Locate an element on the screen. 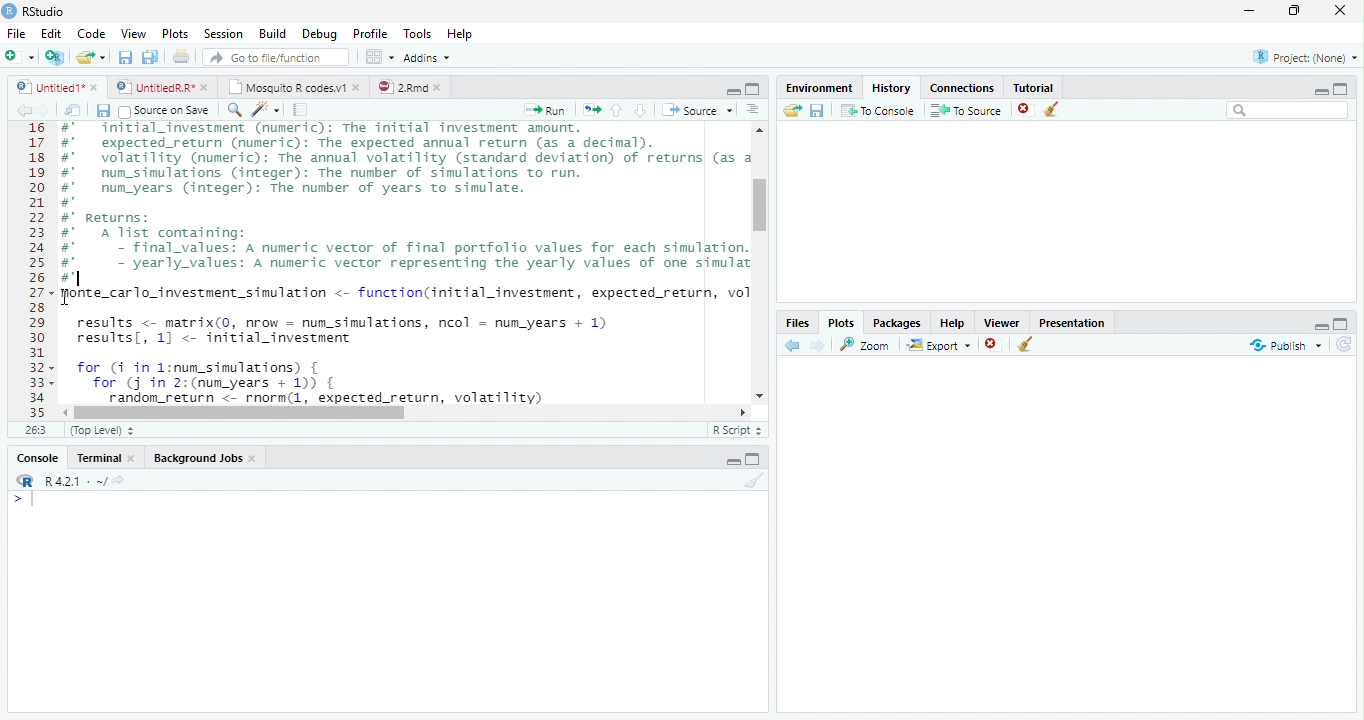 Image resolution: width=1364 pixels, height=720 pixels. Line Numbers is located at coordinates (35, 270).